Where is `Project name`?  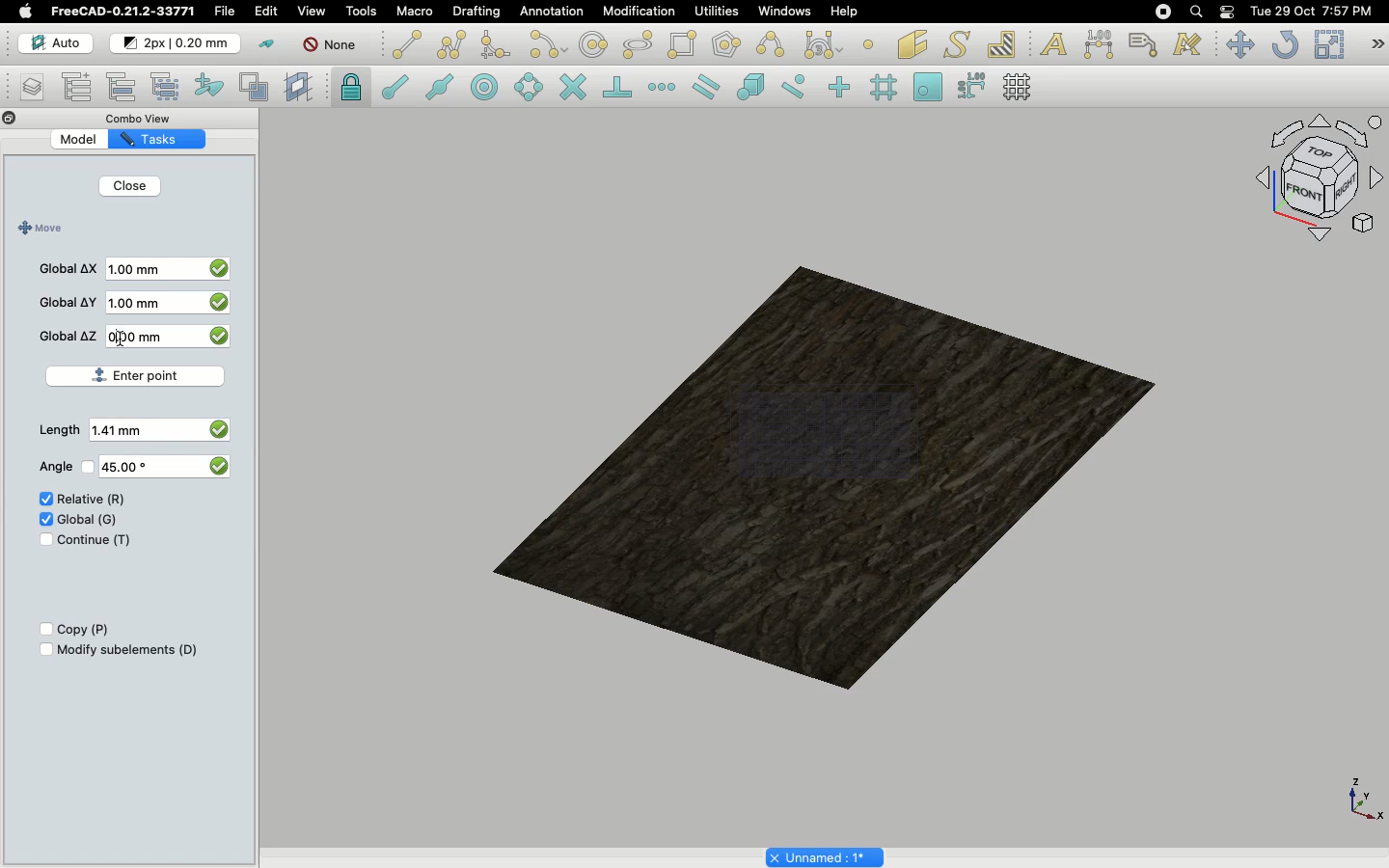 Project name is located at coordinates (827, 855).